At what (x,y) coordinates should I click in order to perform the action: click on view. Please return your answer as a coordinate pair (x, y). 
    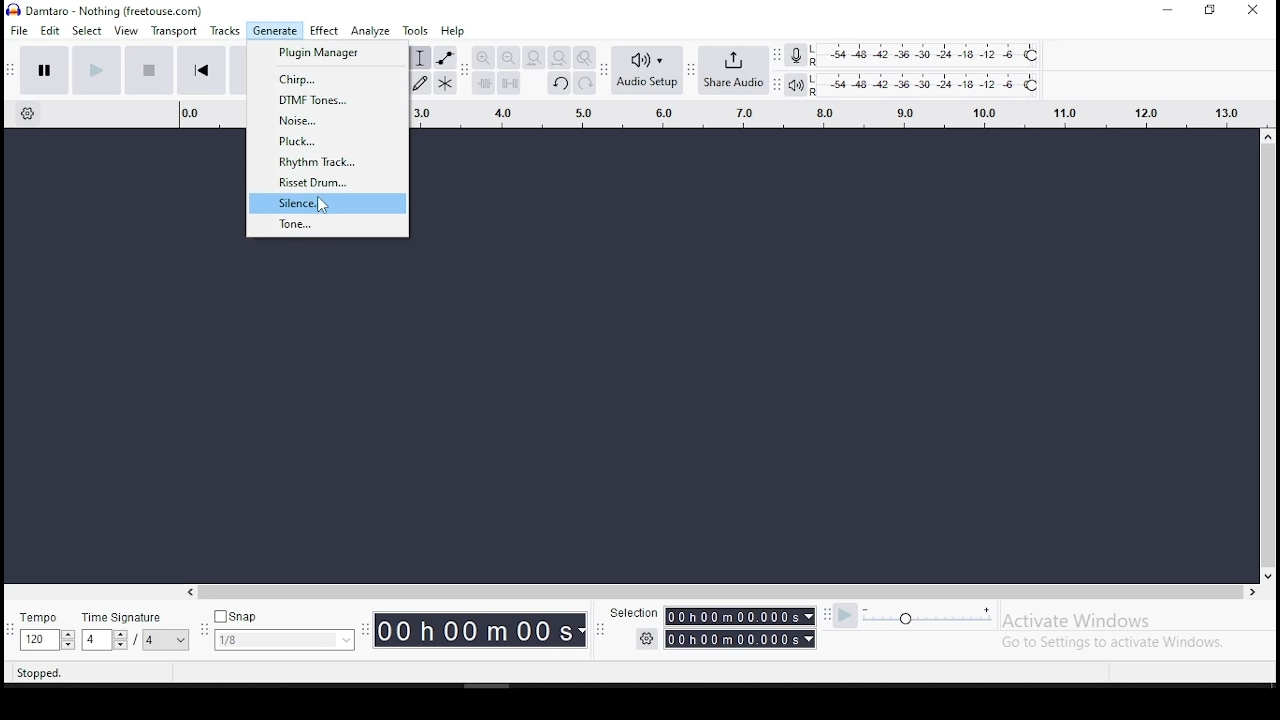
    Looking at the image, I should click on (127, 31).